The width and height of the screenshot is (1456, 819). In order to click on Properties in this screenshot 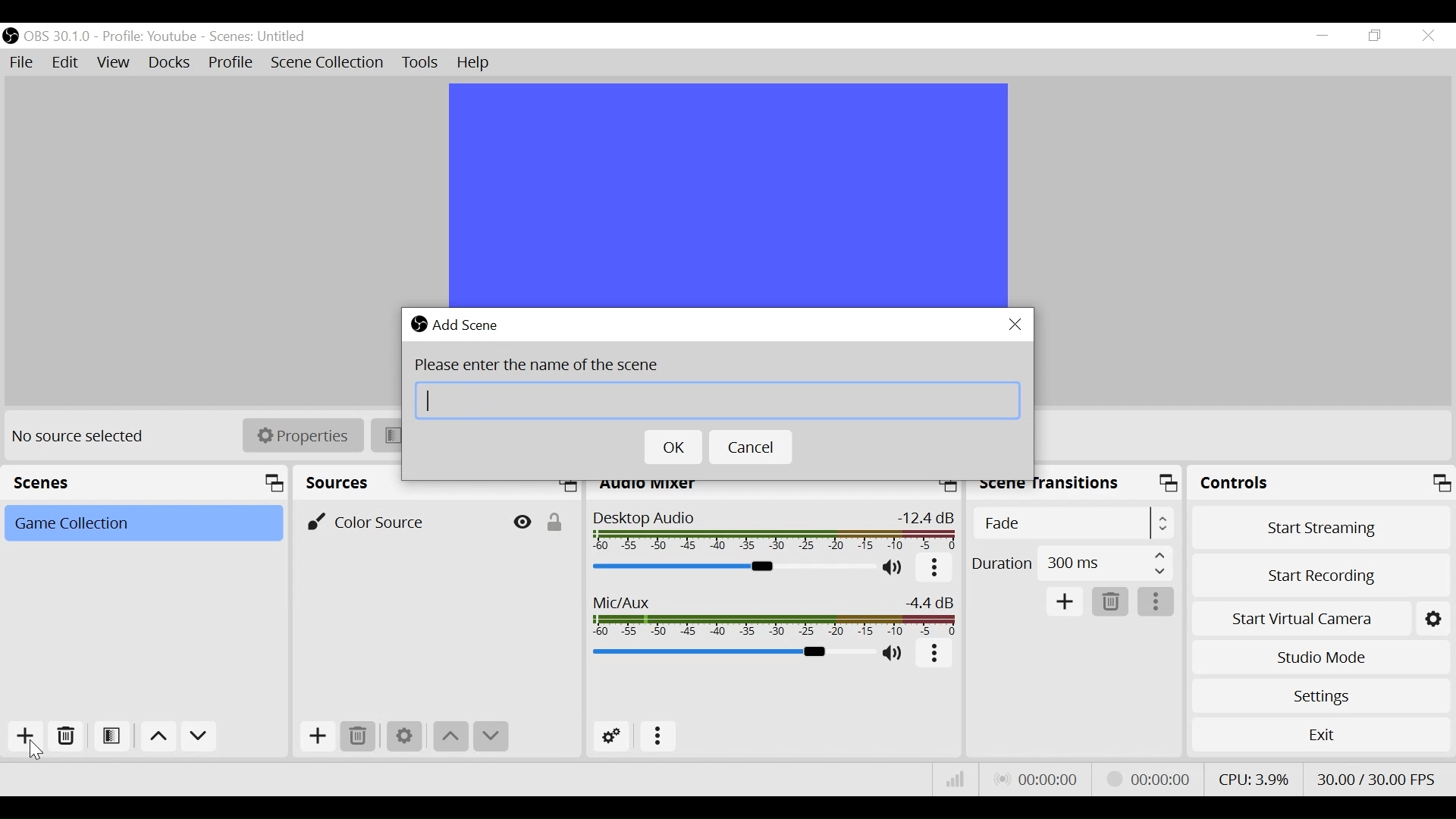, I will do `click(302, 435)`.